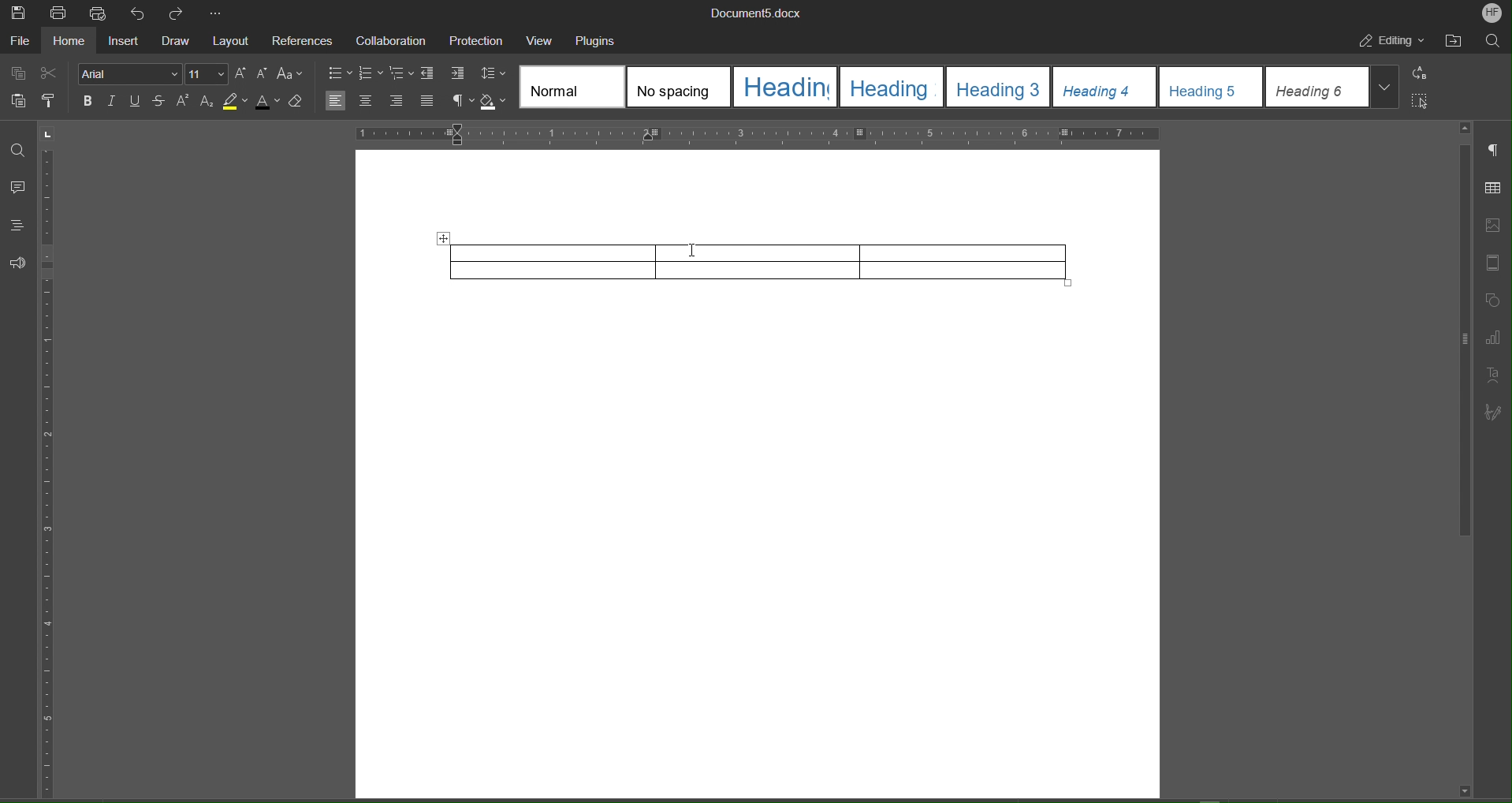 This screenshot has width=1512, height=803. Describe the element at coordinates (50, 71) in the screenshot. I see `Cut` at that location.